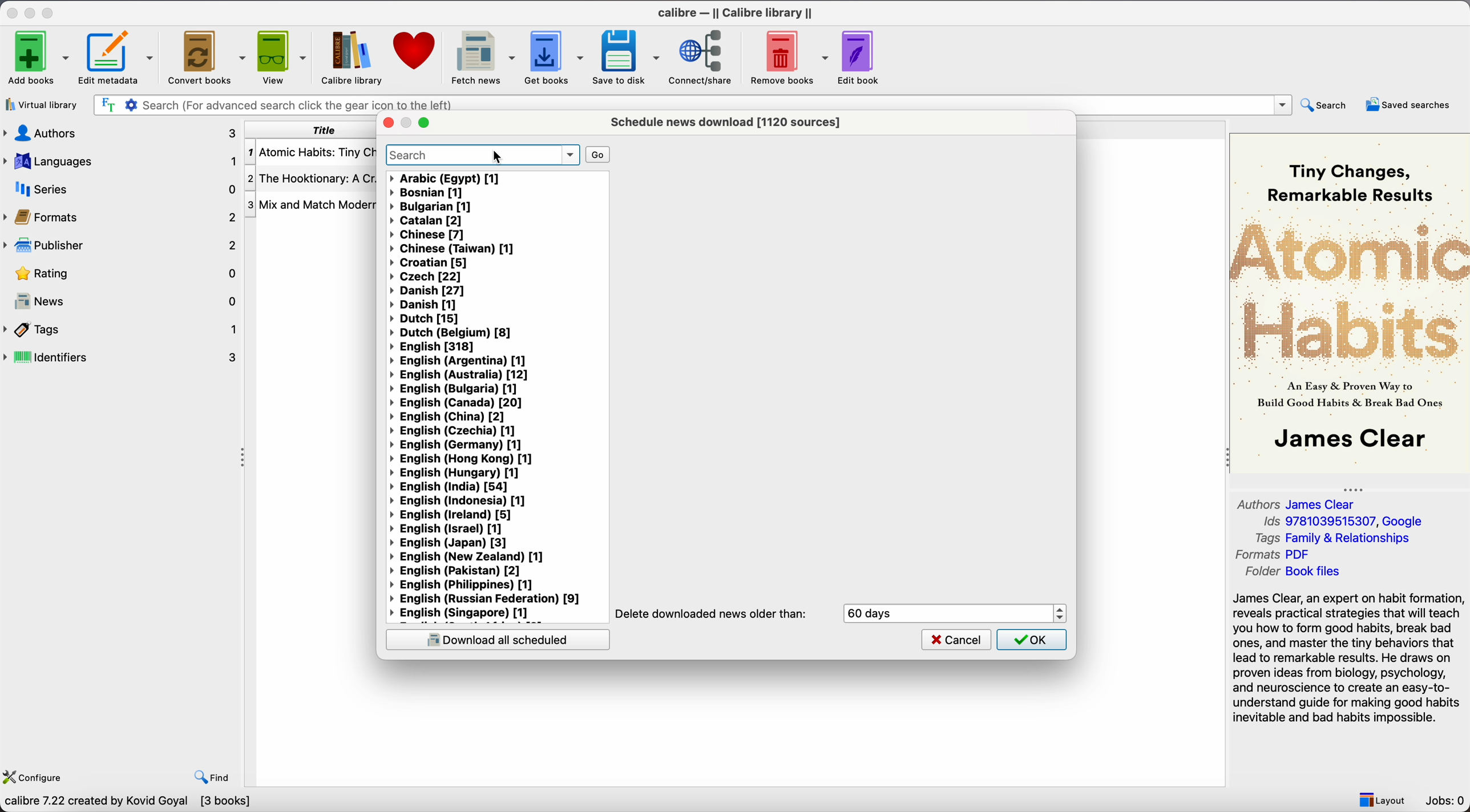  Describe the element at coordinates (443, 179) in the screenshot. I see `Arabic (Egypt) [1]` at that location.